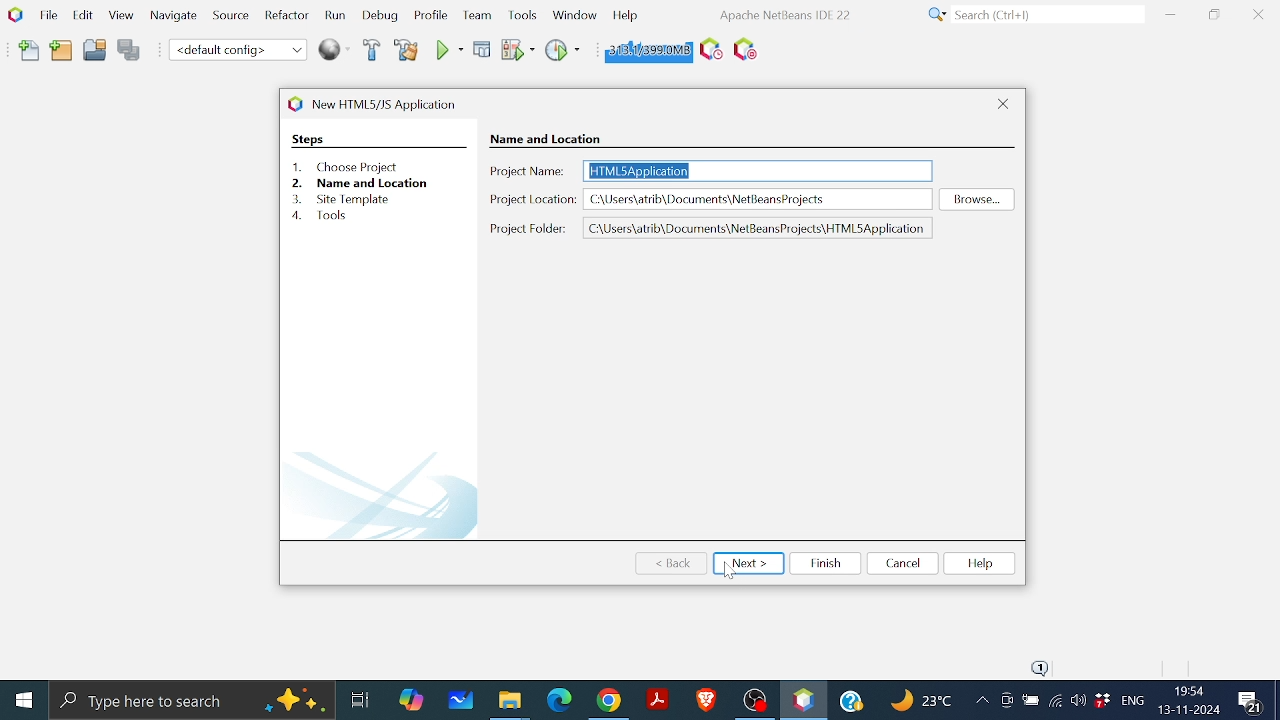  What do you see at coordinates (758, 171) in the screenshot?
I see `Project name` at bounding box center [758, 171].